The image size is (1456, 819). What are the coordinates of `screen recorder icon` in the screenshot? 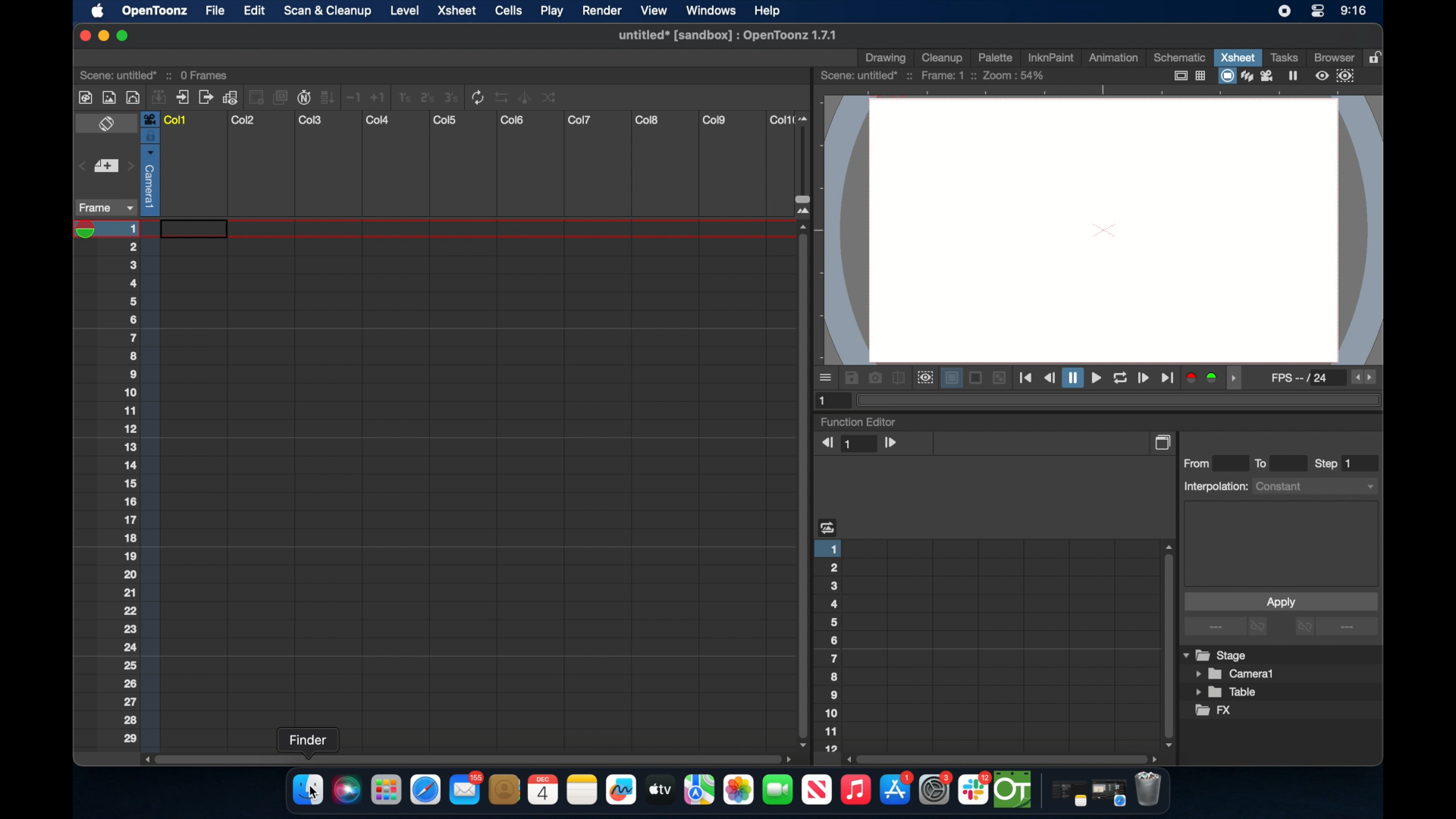 It's located at (1284, 11).